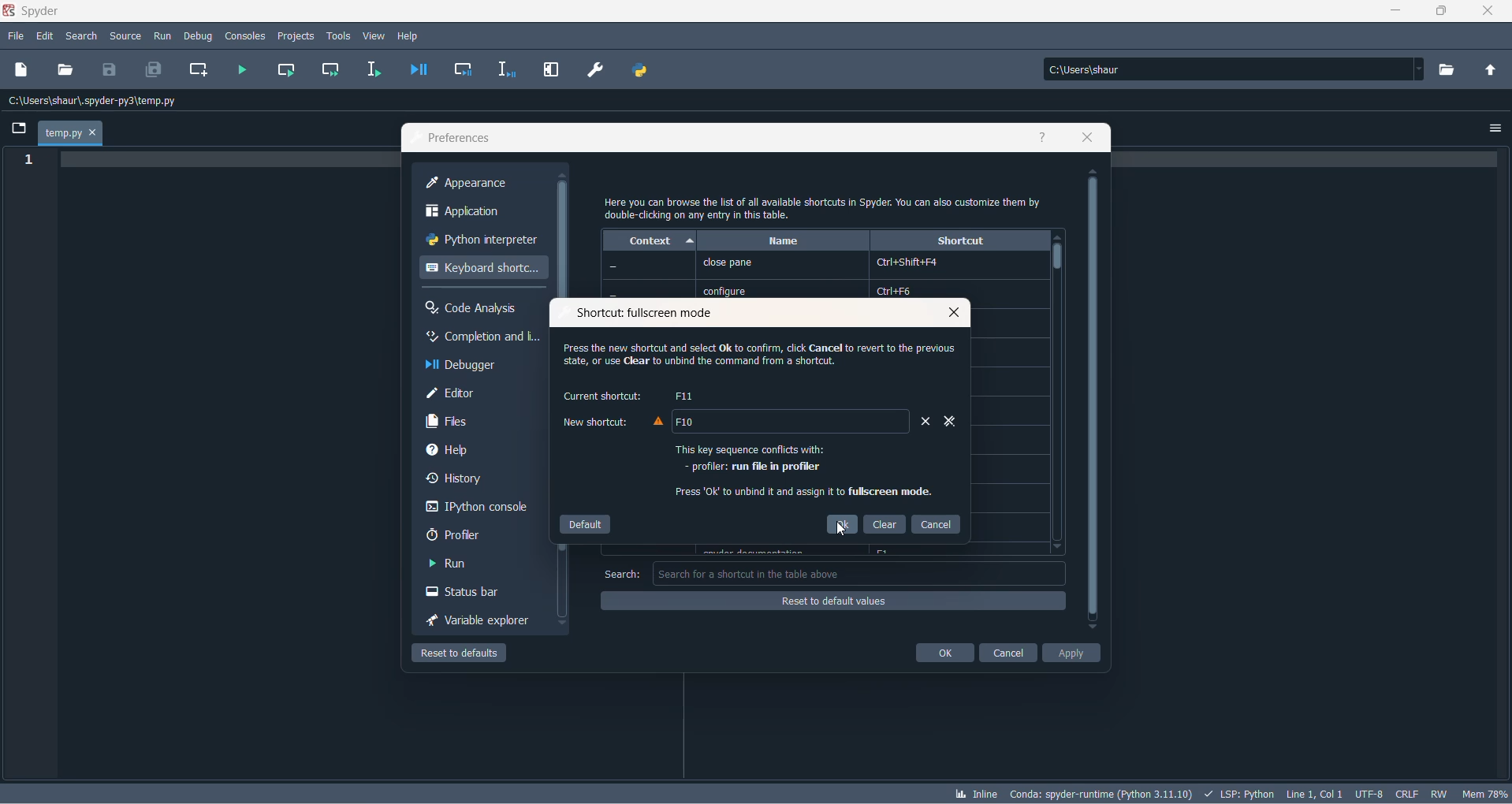  What do you see at coordinates (464, 564) in the screenshot?
I see `run` at bounding box center [464, 564].